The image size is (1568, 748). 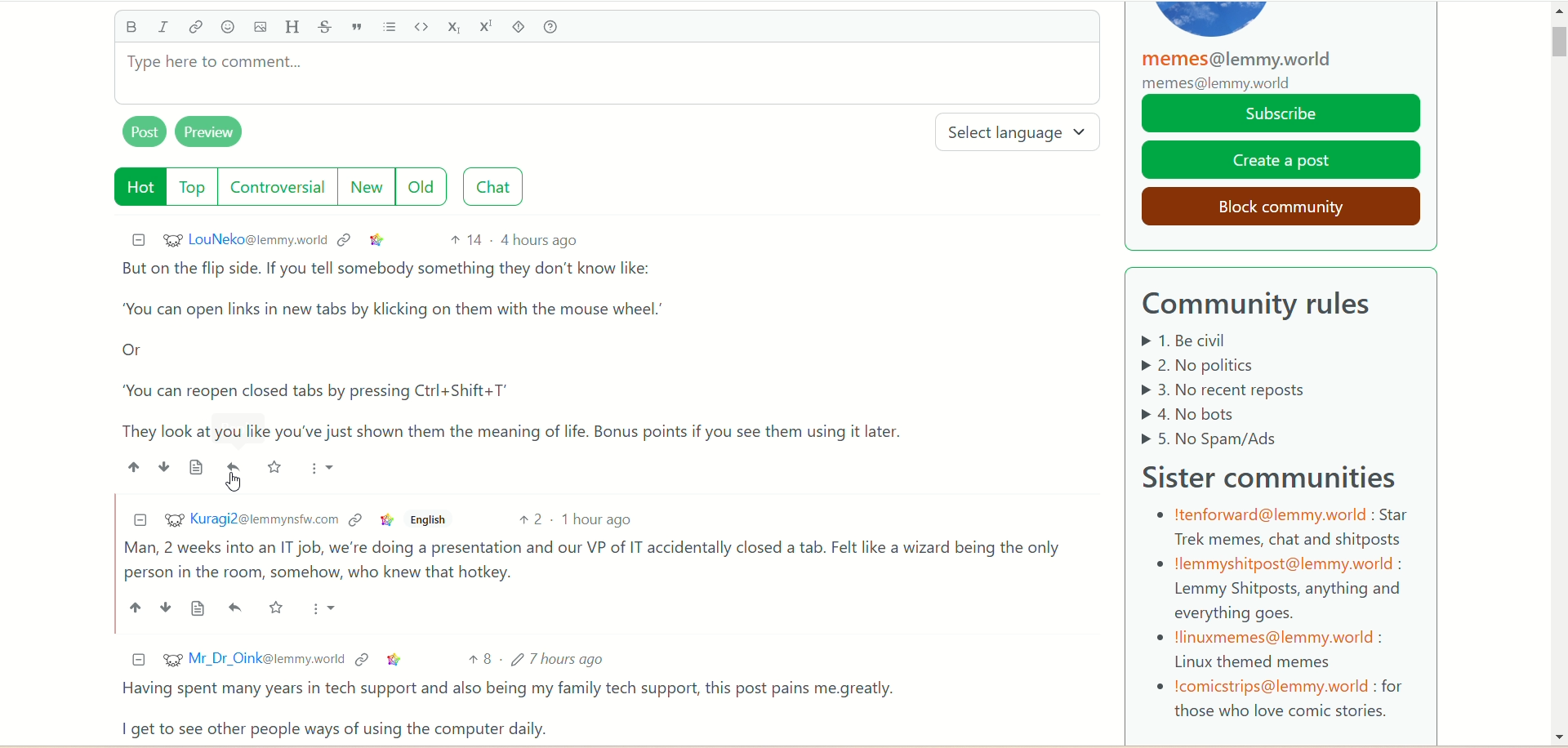 What do you see at coordinates (1243, 70) in the screenshot?
I see `memes@lemmy.world` at bounding box center [1243, 70].